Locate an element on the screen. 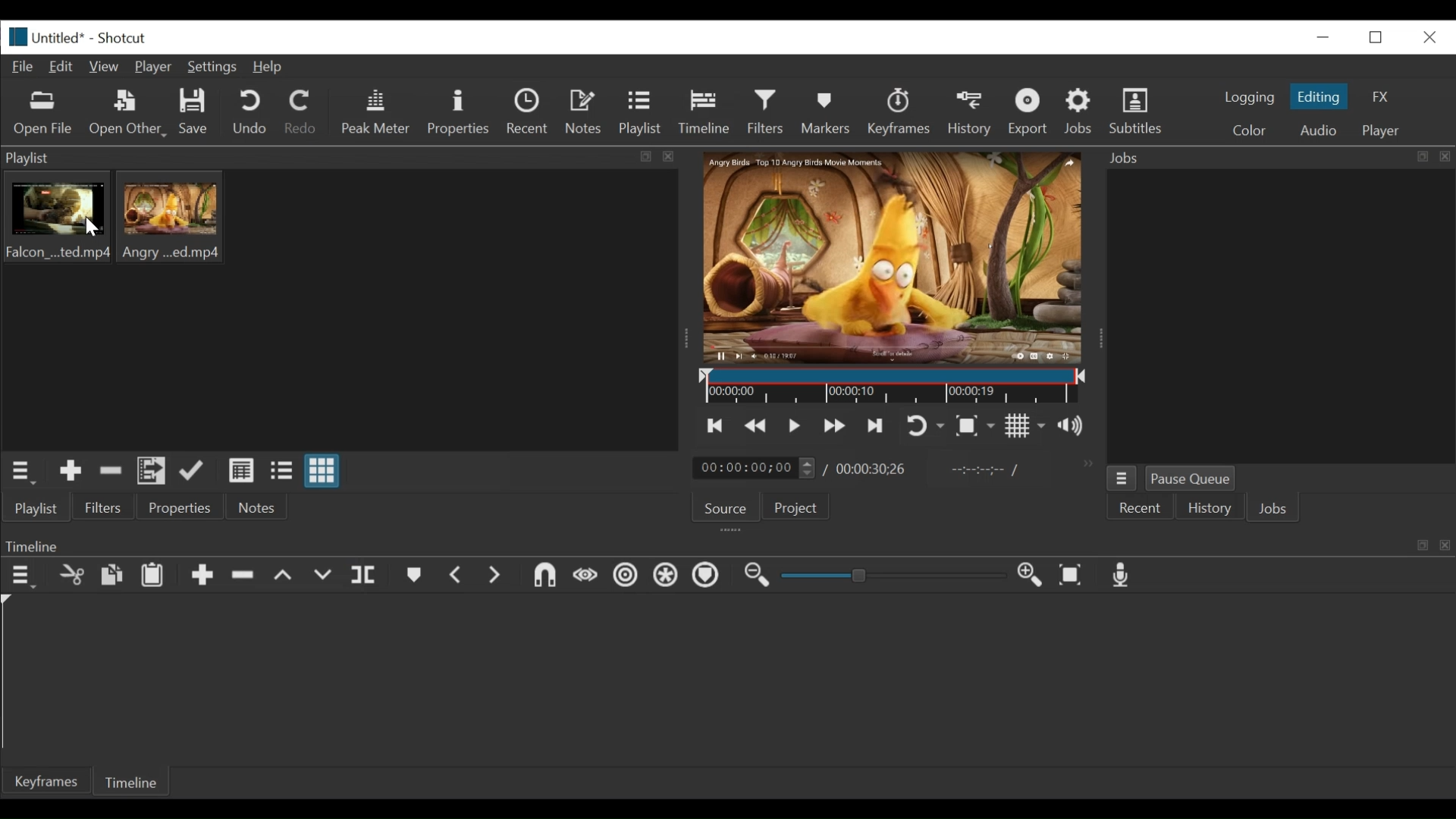 The height and width of the screenshot is (819, 1456). Notes is located at coordinates (586, 112).